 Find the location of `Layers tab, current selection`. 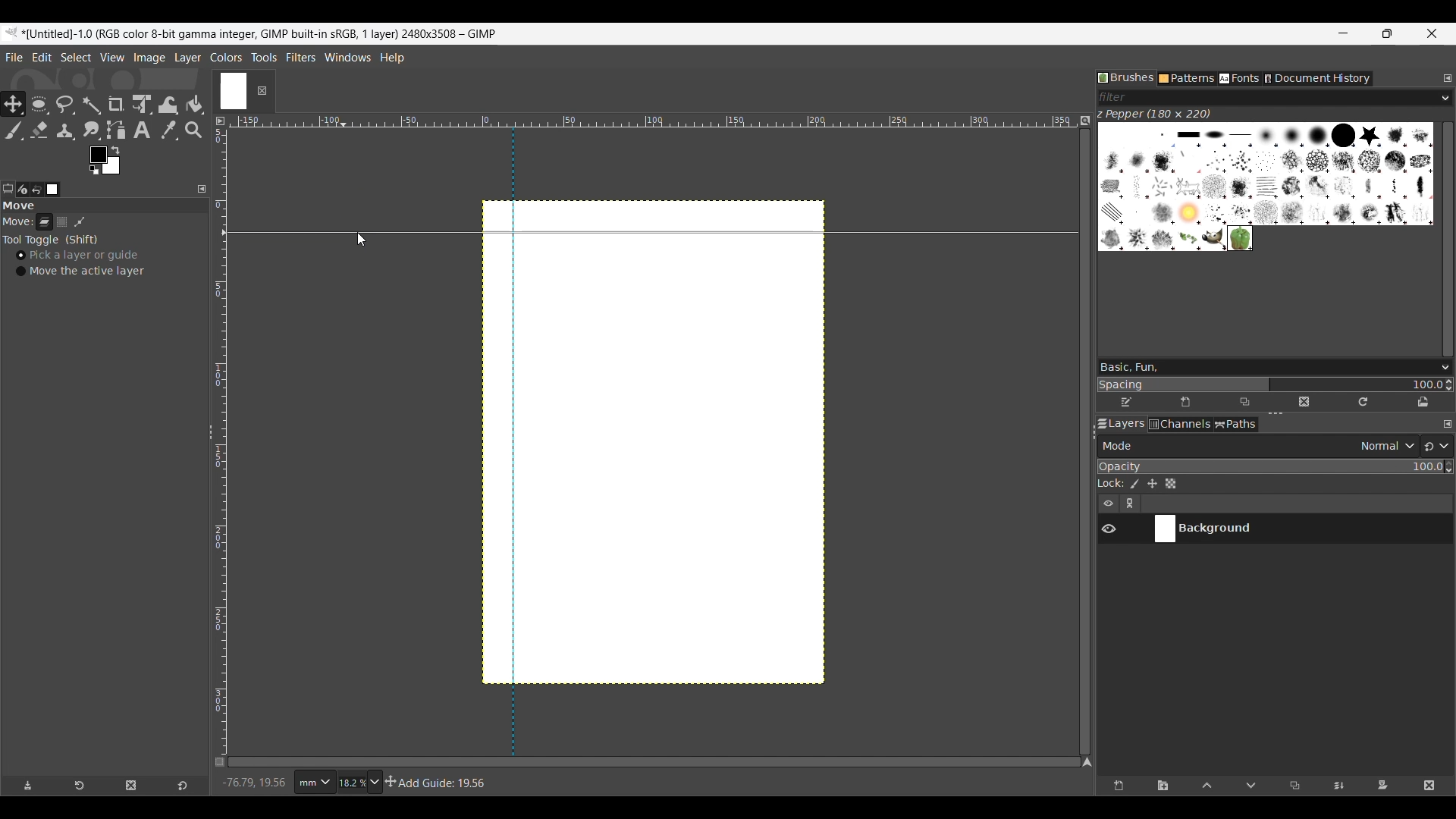

Layers tab, current selection is located at coordinates (1118, 425).